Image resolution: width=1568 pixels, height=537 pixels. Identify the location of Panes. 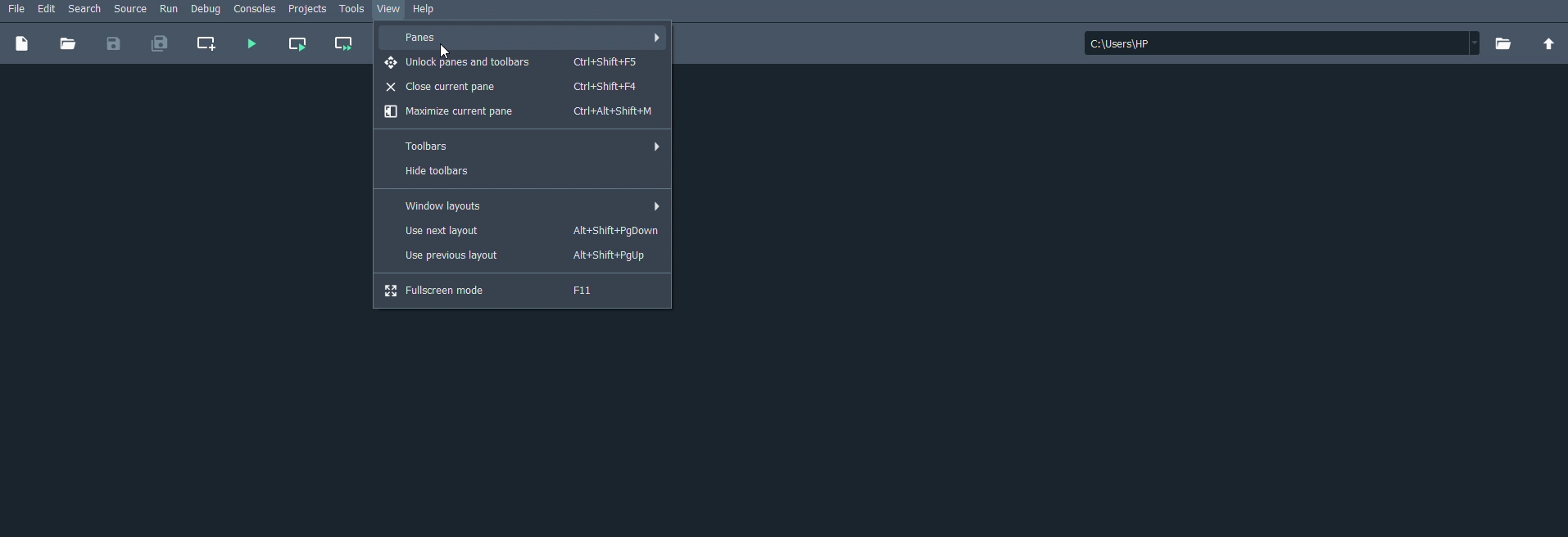
(527, 38).